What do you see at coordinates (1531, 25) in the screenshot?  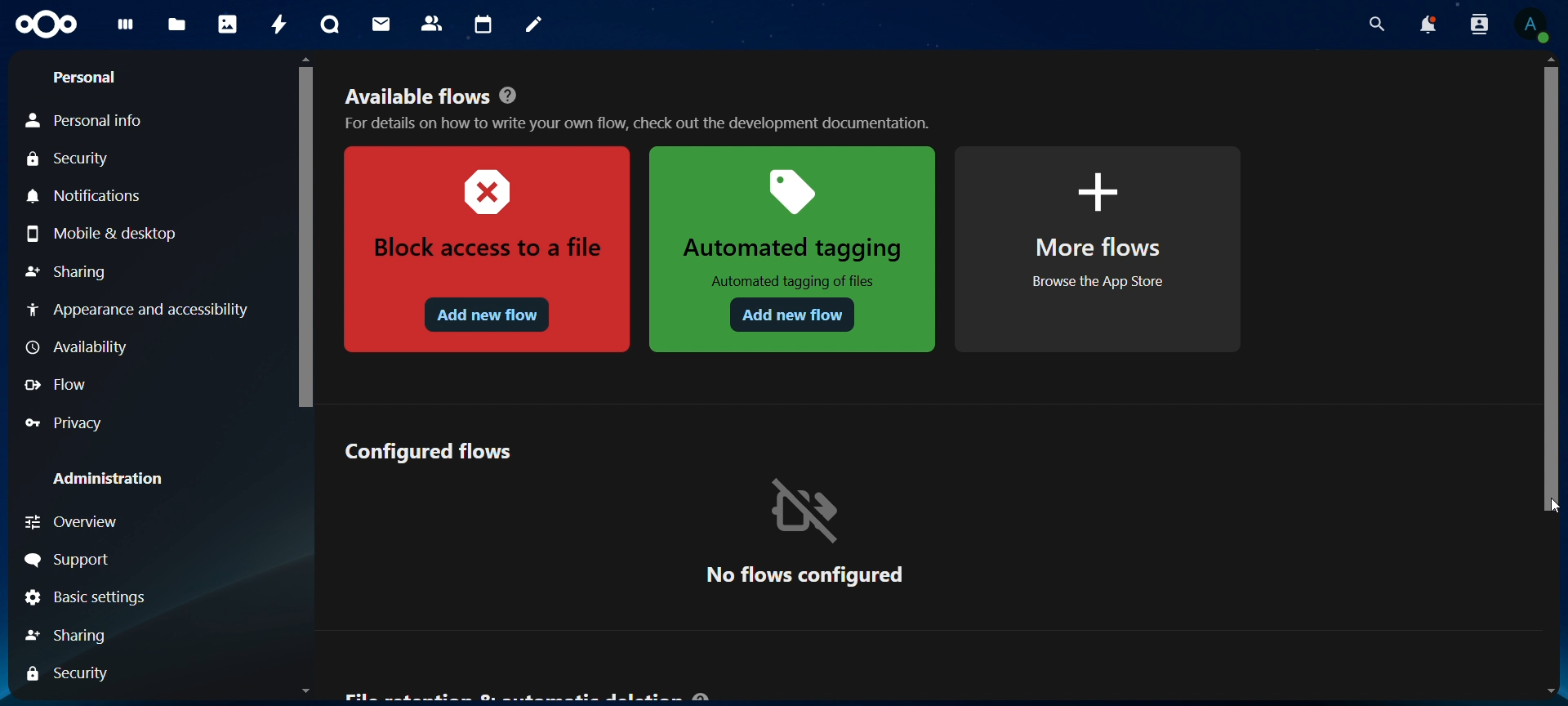 I see `view profile` at bounding box center [1531, 25].